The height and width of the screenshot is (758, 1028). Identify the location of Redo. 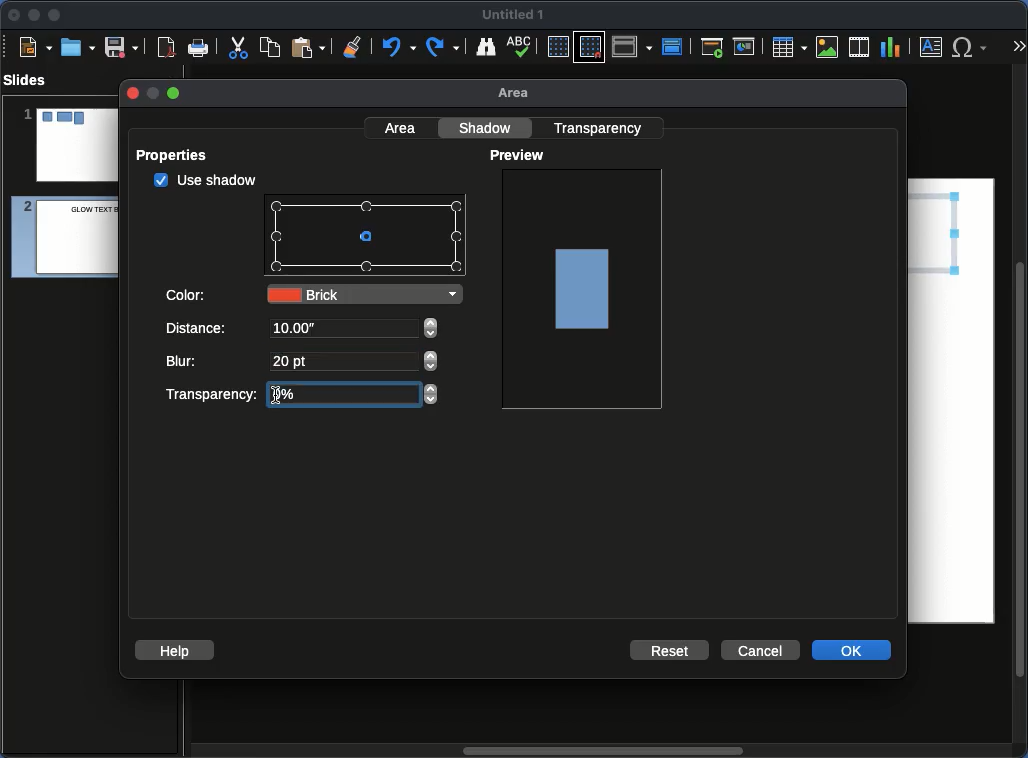
(444, 47).